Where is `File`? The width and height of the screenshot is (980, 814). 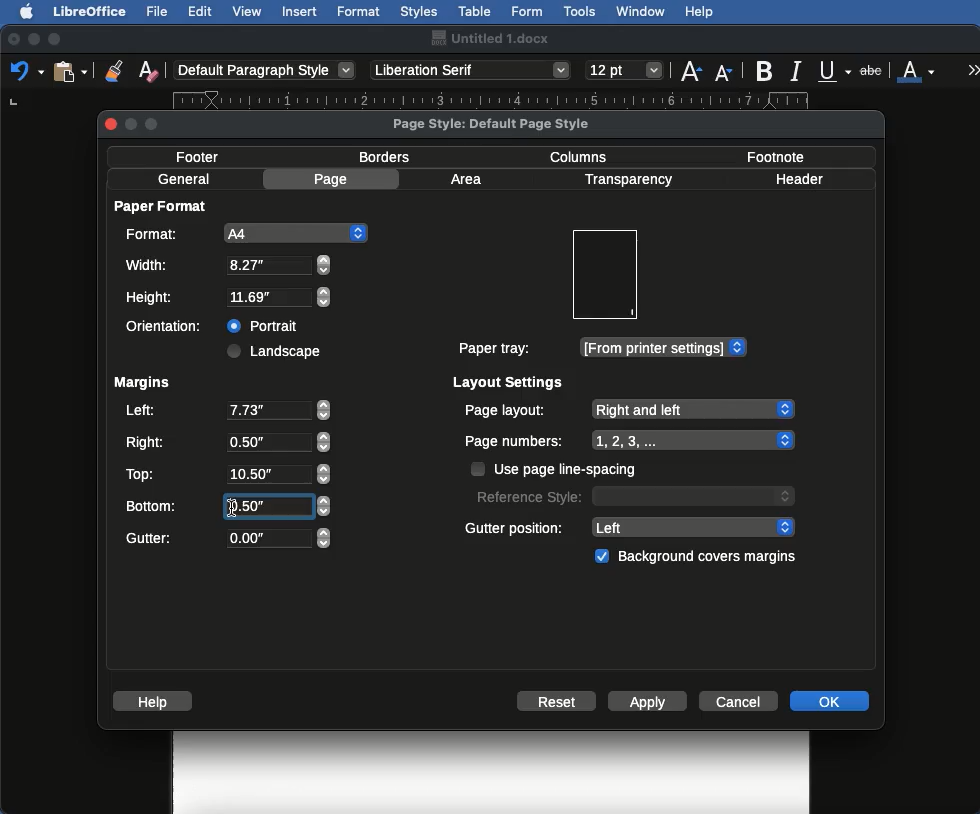
File is located at coordinates (159, 11).